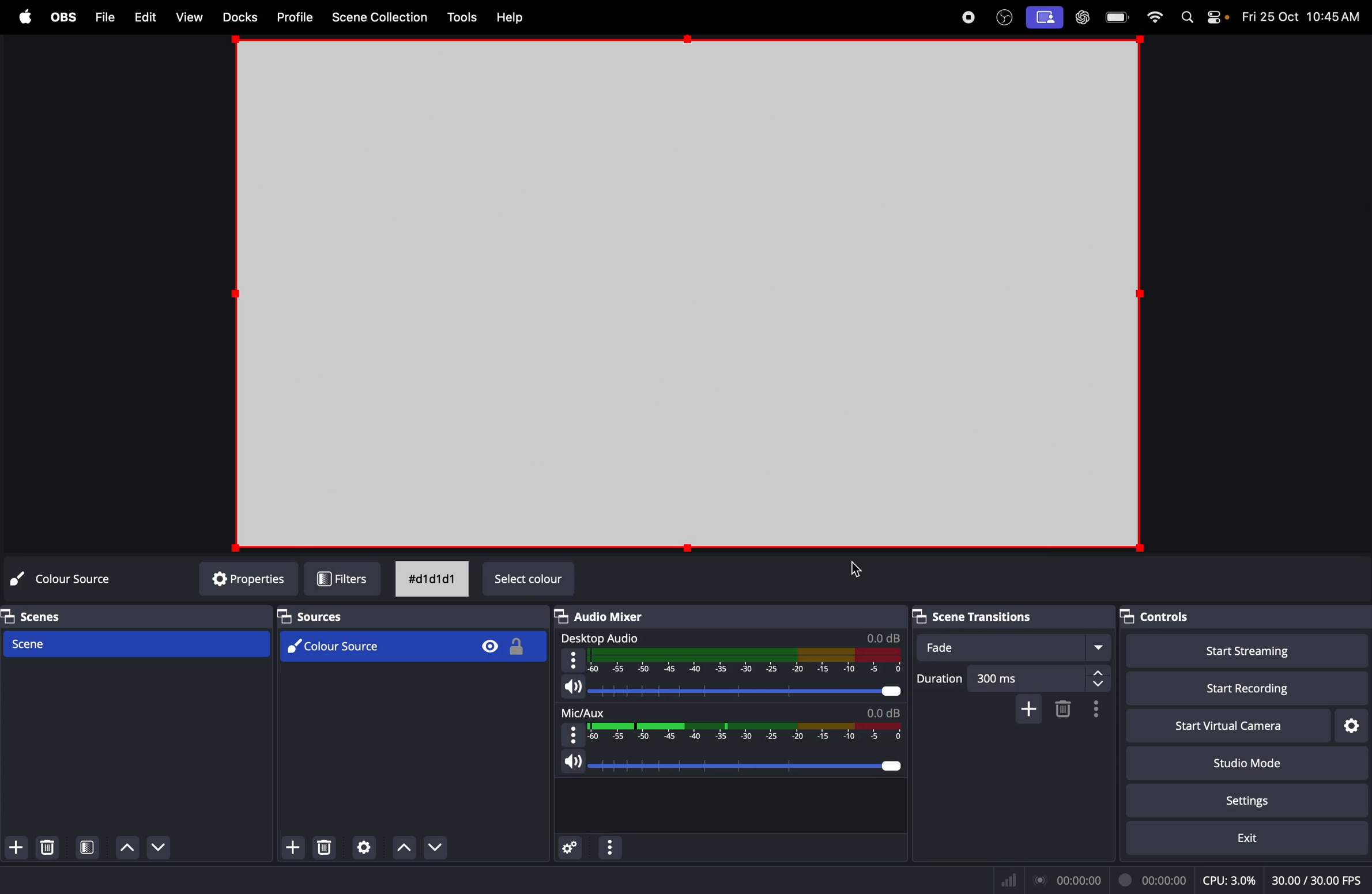  Describe the element at coordinates (126, 847) in the screenshot. I see `move scene down` at that location.